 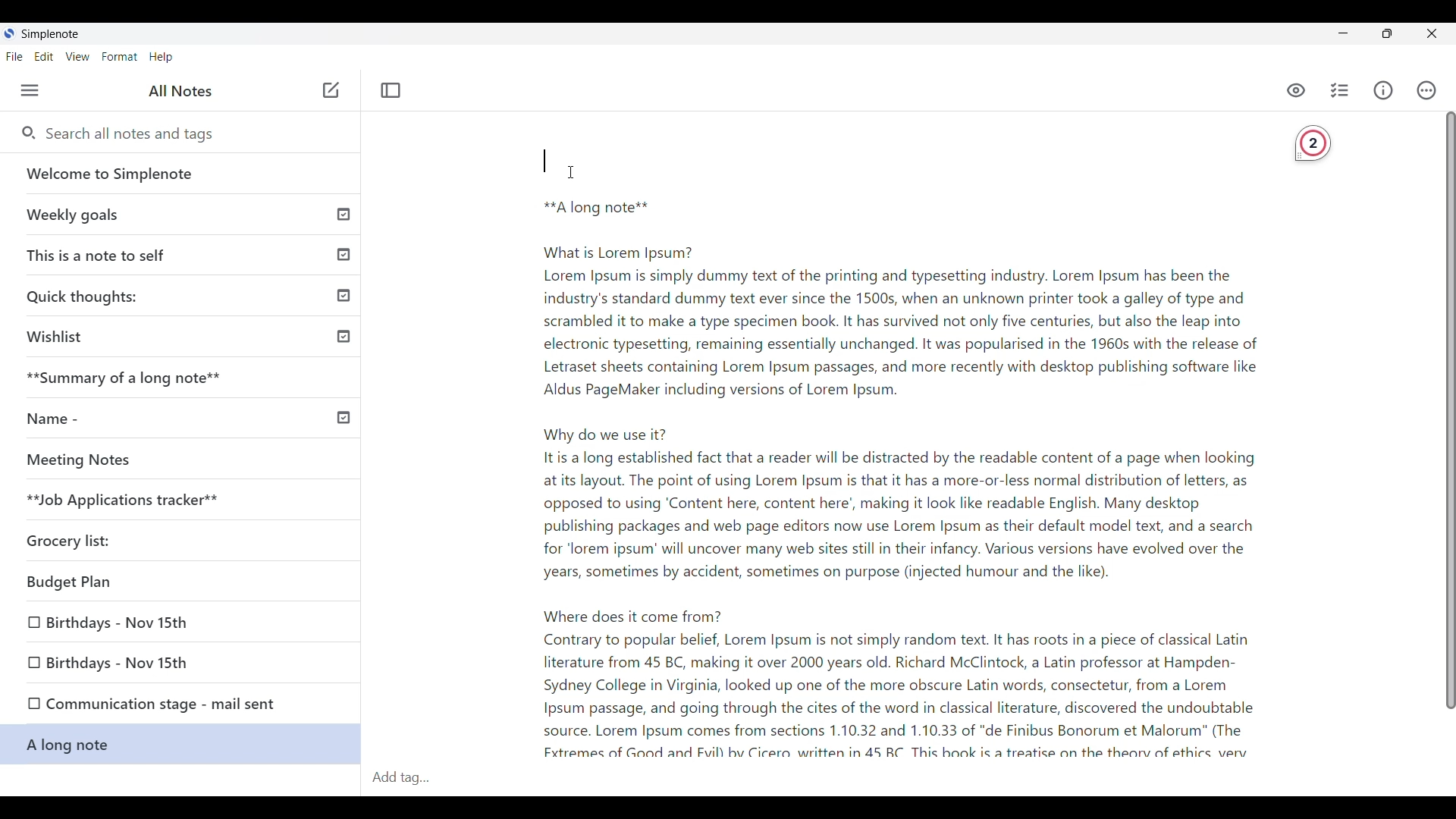 I want to click on **A long note**

What is Lorem Ipsum?

Lorem Ipsum is simply dummy text of the printing and typesetting industry. Lorem Ipsum has been the
industry's standard dummy text ever since the 1500s, when an unknown printer took a galley of type and
scrambled it to make a type specimen book. It has survived not only five centuries, but also the leap into
electronic typesetting, remaining essentially unchanged. It was popularised in the 1960s with the release of
Letraset sheets containing Lorem Ipsum passages, and more recently with desktop publishing software like
Aldus PageMaker including versions of Lorem Ipsum.

Why do we use it?

Itis a long established fact that a reader will be distracted by the readable content of a page when looking
at its layout. The point of using Lorem Ipsum is that it has a more-or-less normal distribution of letters, as
opposed to using ‘Content here, content here’, making it look like readable English. Many desktop
publishing packages and web page editors now use Lorem Ipsum as their default model text, and a search
for ‘lorem ipsum’ will uncover many web sites still in their infancy. Various versions have evolved over the
years, sometimes by accident, sometimes on purpose (injected humour and the like).

Where does it come from?

Contrary to popular belief, Lorem Ipsum is not simply random text. It has roots in a piece of classical Latin
literature from 45 BC, making it over 2000 years old. Richard McClintock, a Latin professor at Hampden-
Sydney College in Virginia, looked up one of the more obscure Latin words, consectetur, from a Lorem
Ipsum passage, and going through the cites of the word in classical literature, discovered the undoubtable
source. Lorem Ipsum comes from sections 1.10.32 and 1.10.33 of "de Finibus Bonorum et Malorum" (The, so click(x=883, y=448).